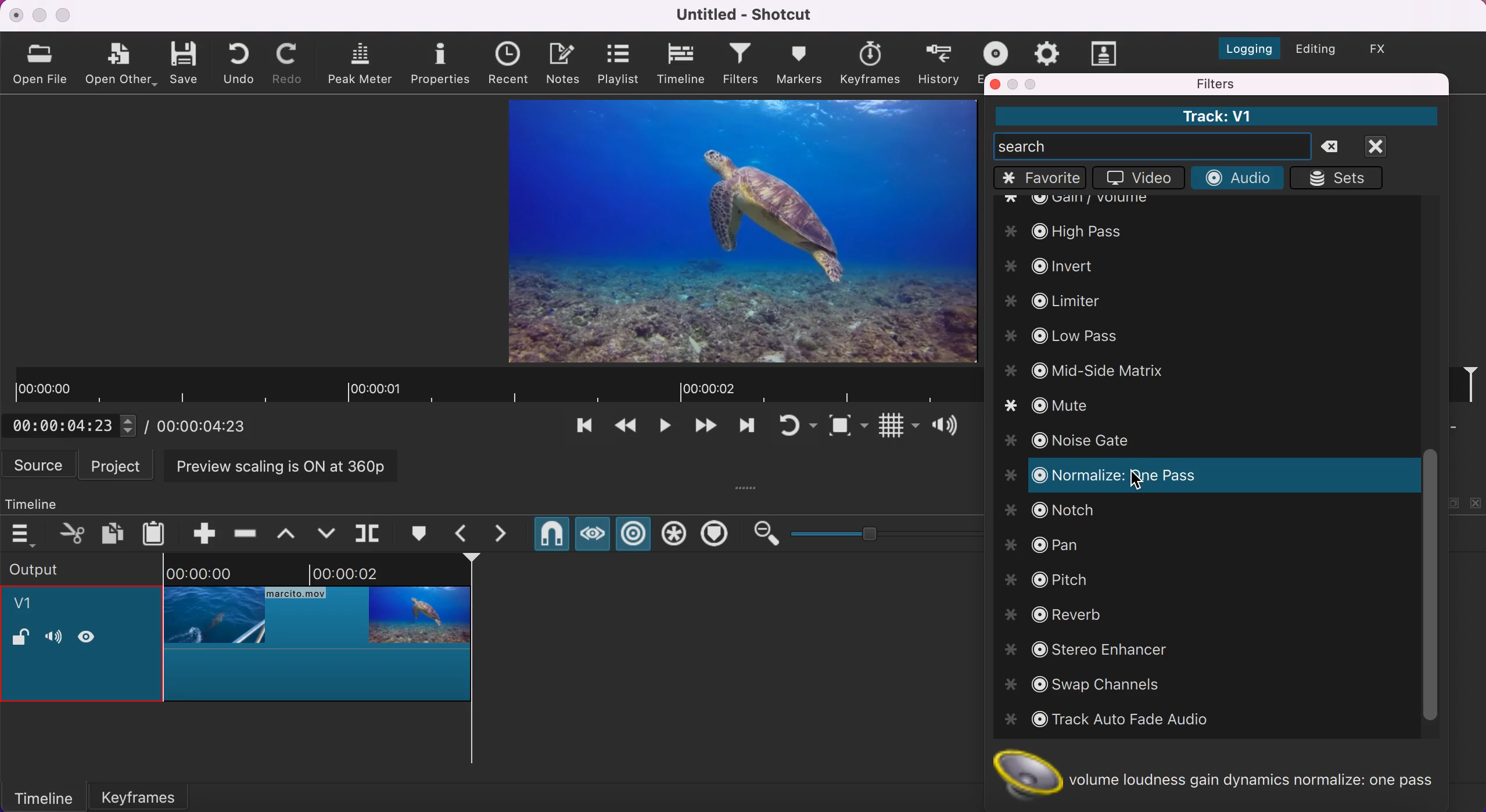  I want to click on paste, so click(157, 531).